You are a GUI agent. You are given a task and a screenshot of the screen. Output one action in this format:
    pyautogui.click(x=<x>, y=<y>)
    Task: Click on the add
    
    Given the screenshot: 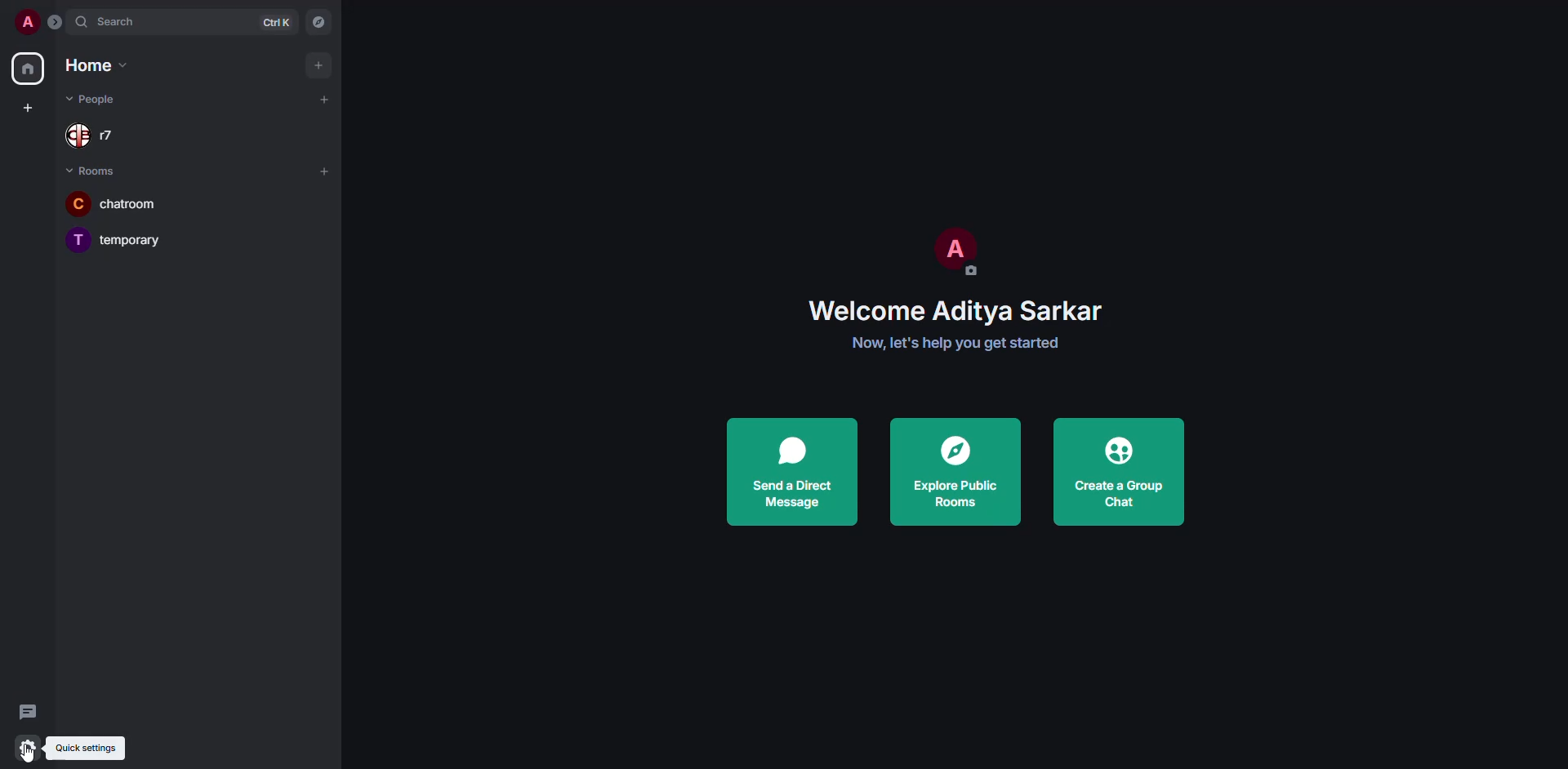 What is the action you would take?
    pyautogui.click(x=323, y=171)
    